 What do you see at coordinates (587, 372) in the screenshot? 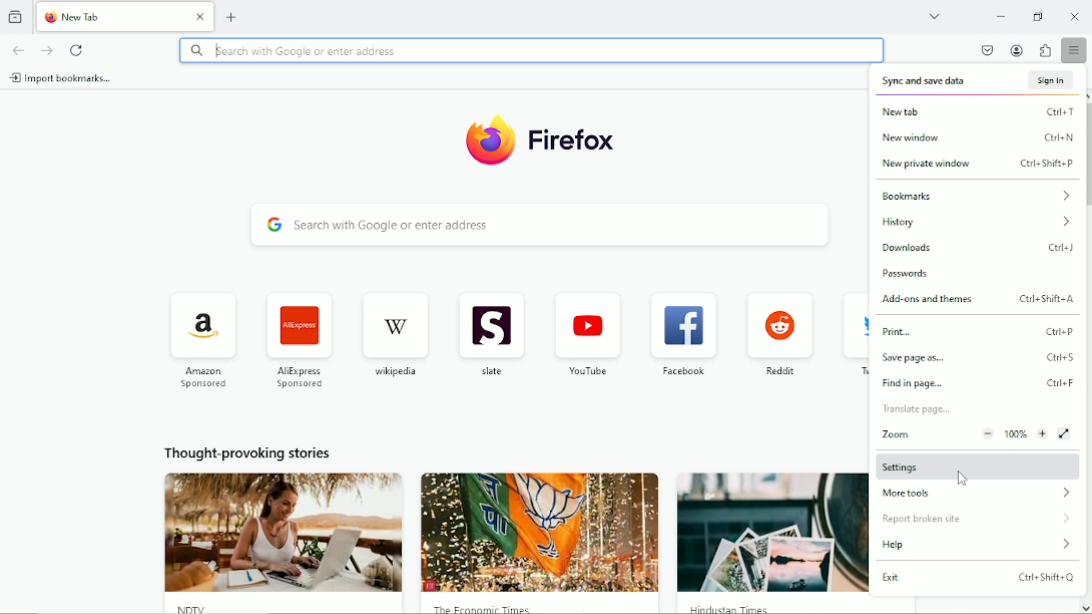
I see `youtube` at bounding box center [587, 372].